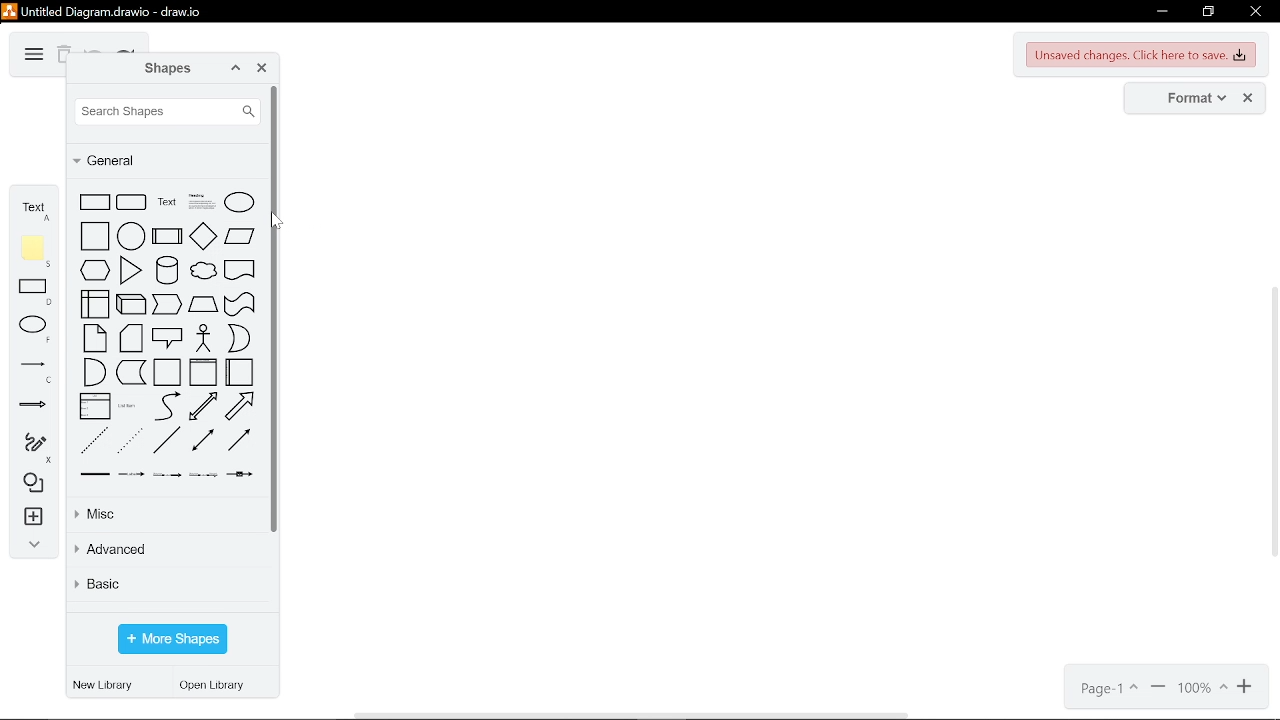  What do you see at coordinates (94, 372) in the screenshot?
I see `and` at bounding box center [94, 372].